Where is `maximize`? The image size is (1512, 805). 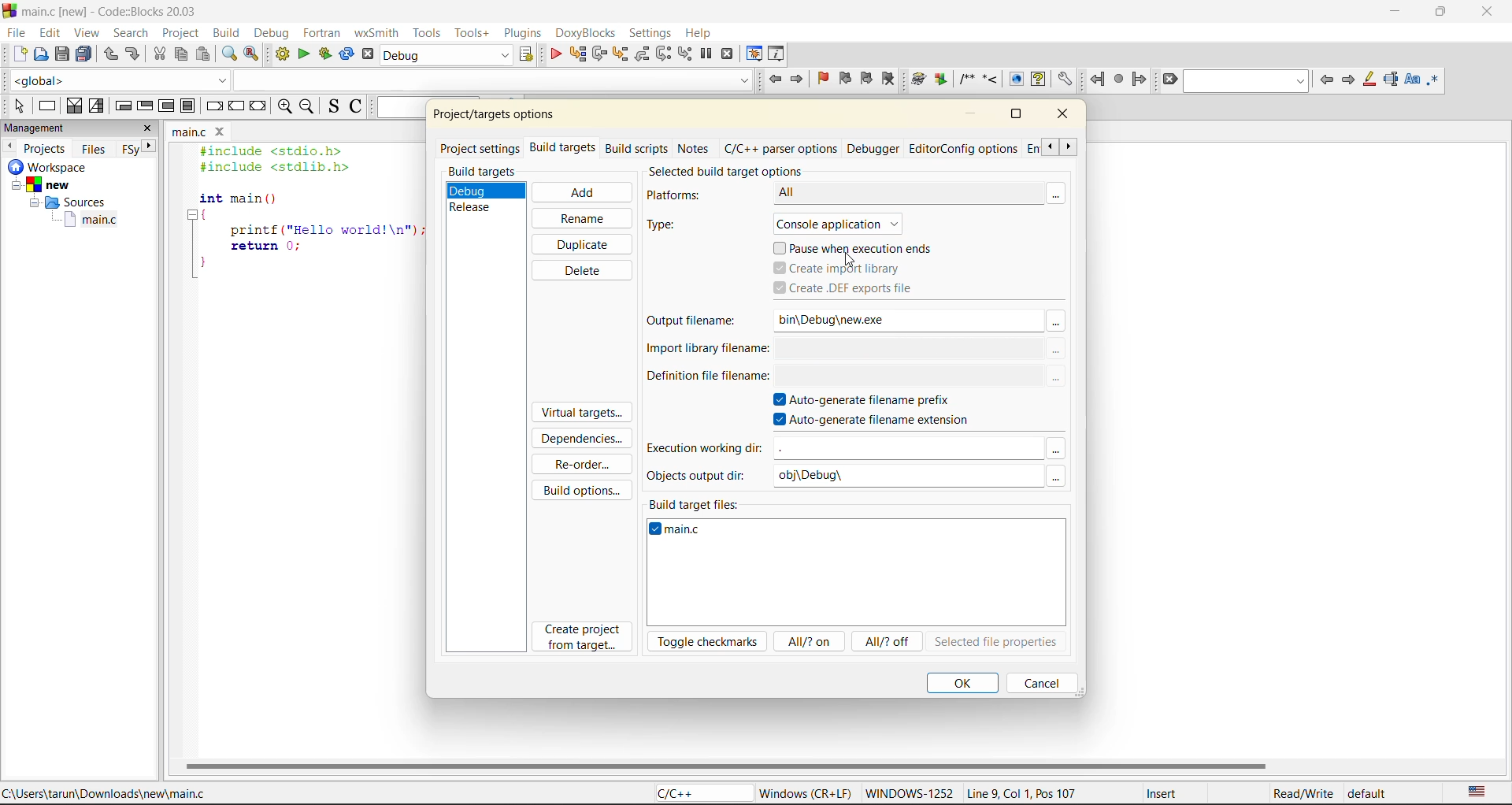 maximize is located at coordinates (1015, 113).